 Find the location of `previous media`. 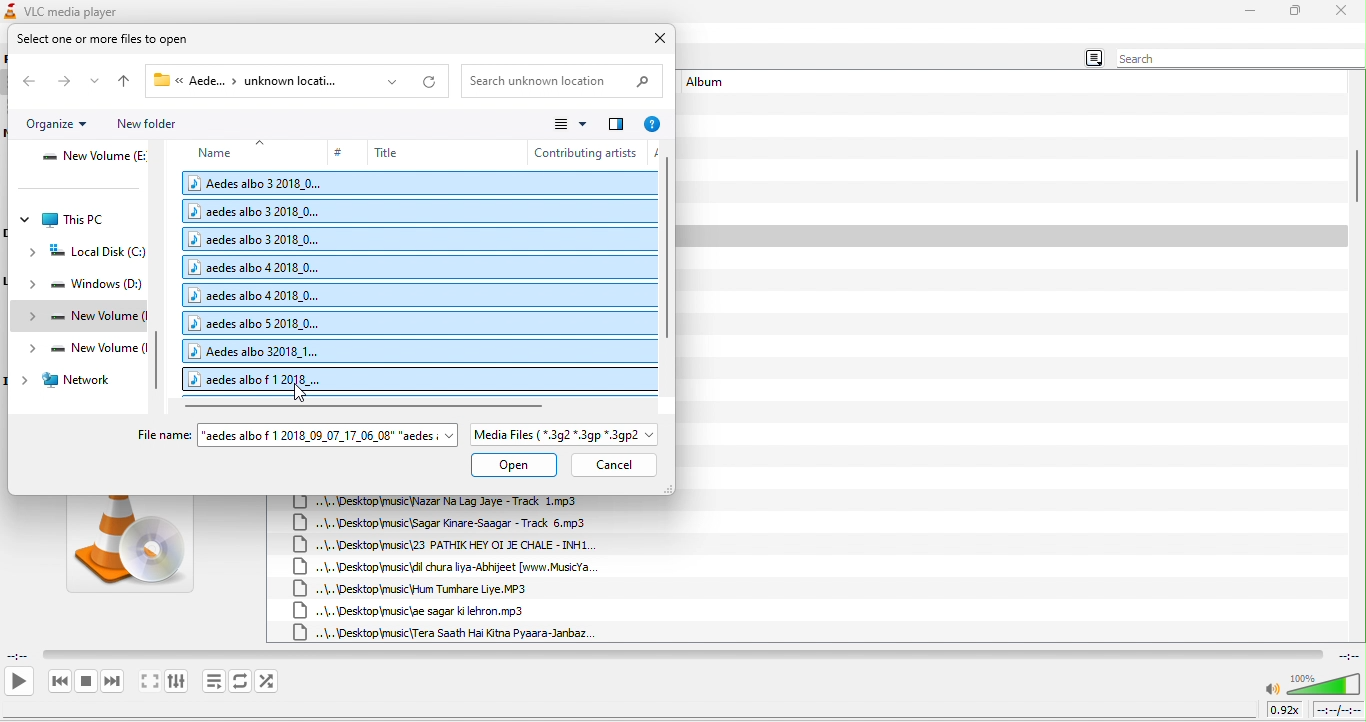

previous media is located at coordinates (59, 682).